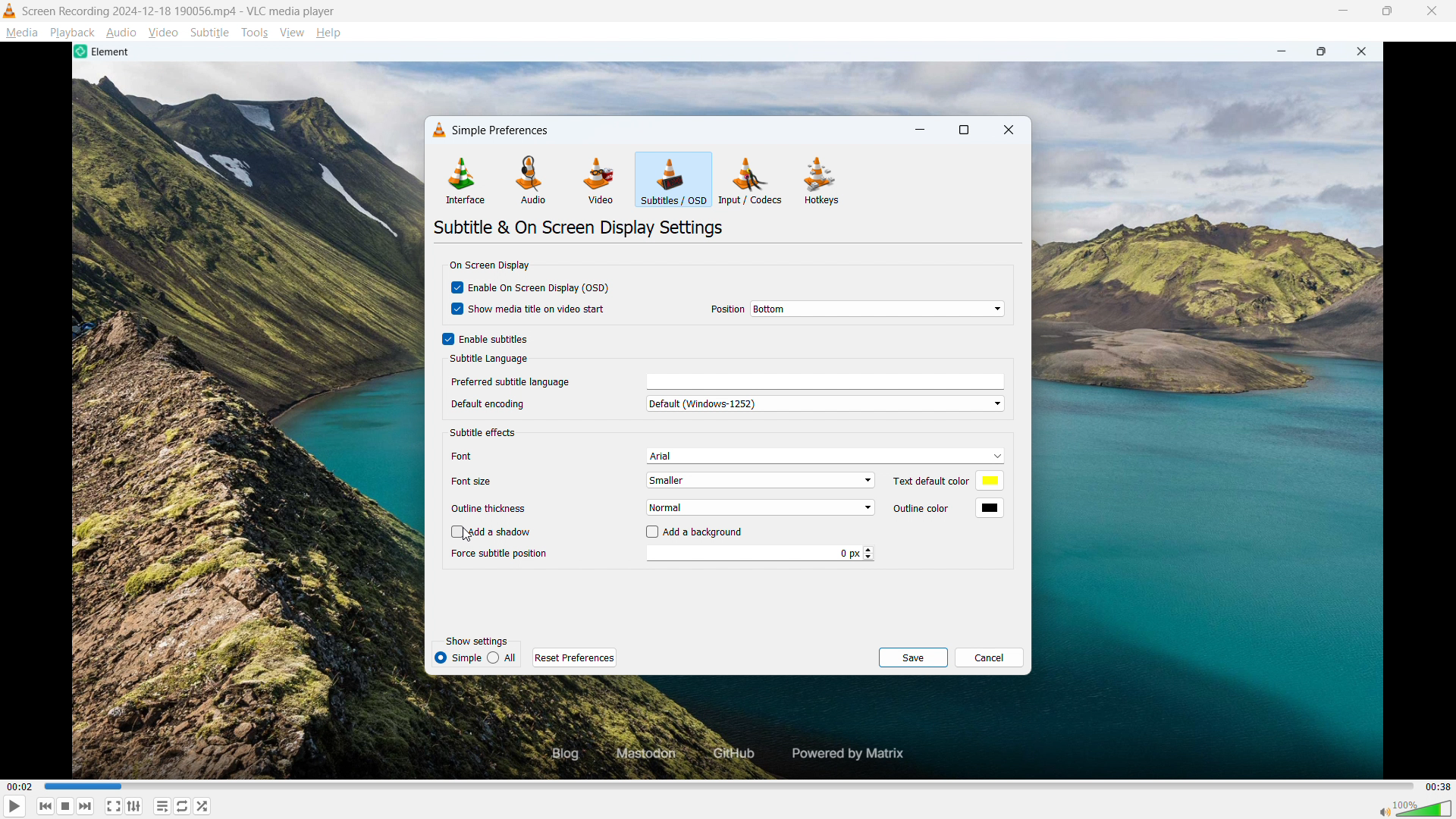  I want to click on Blog, so click(554, 755).